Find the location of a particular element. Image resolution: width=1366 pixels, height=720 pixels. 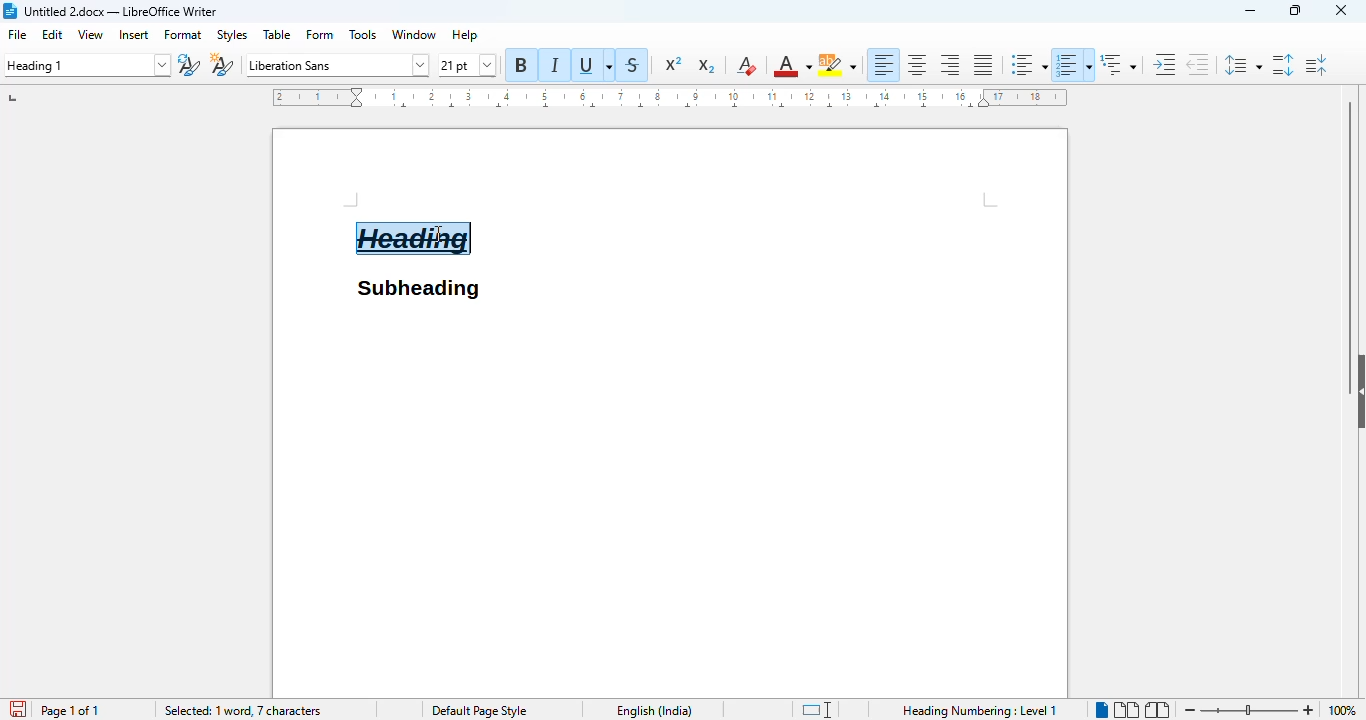

new style from selection is located at coordinates (221, 64).